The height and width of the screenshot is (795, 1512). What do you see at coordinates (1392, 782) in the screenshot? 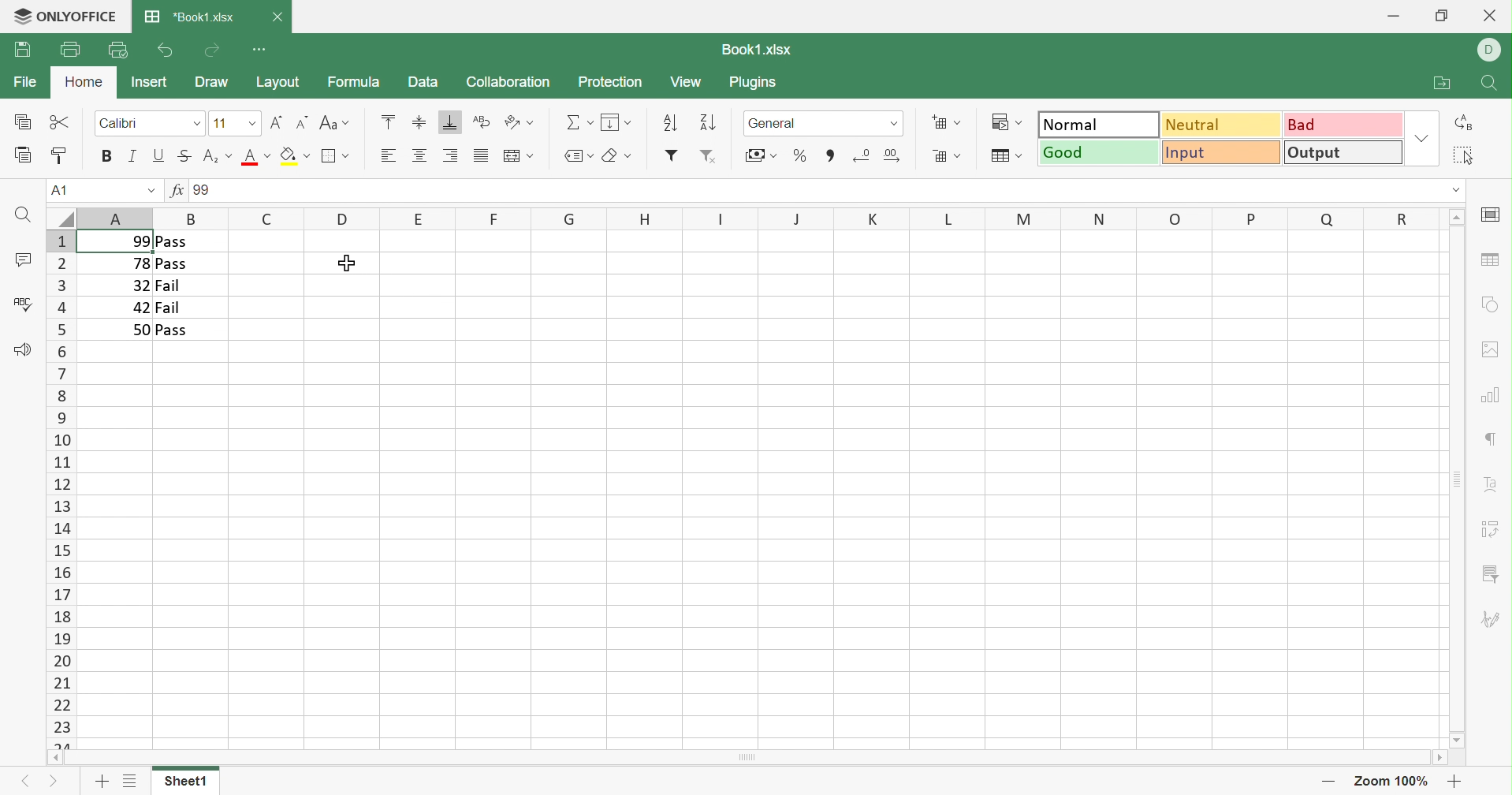
I see `Zoom 100%` at bounding box center [1392, 782].